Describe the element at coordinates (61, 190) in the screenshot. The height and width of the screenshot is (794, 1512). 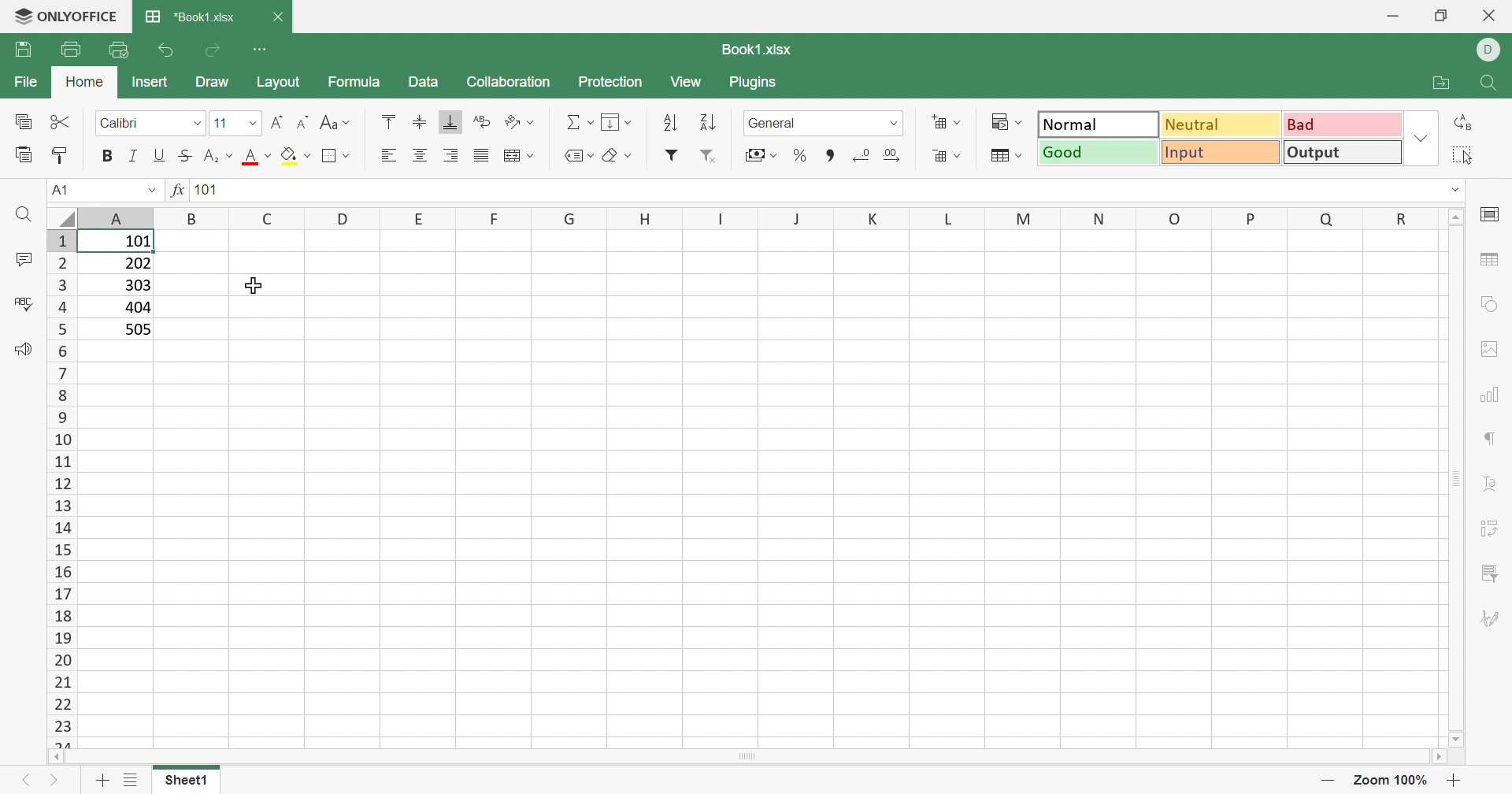
I see `A1` at that location.